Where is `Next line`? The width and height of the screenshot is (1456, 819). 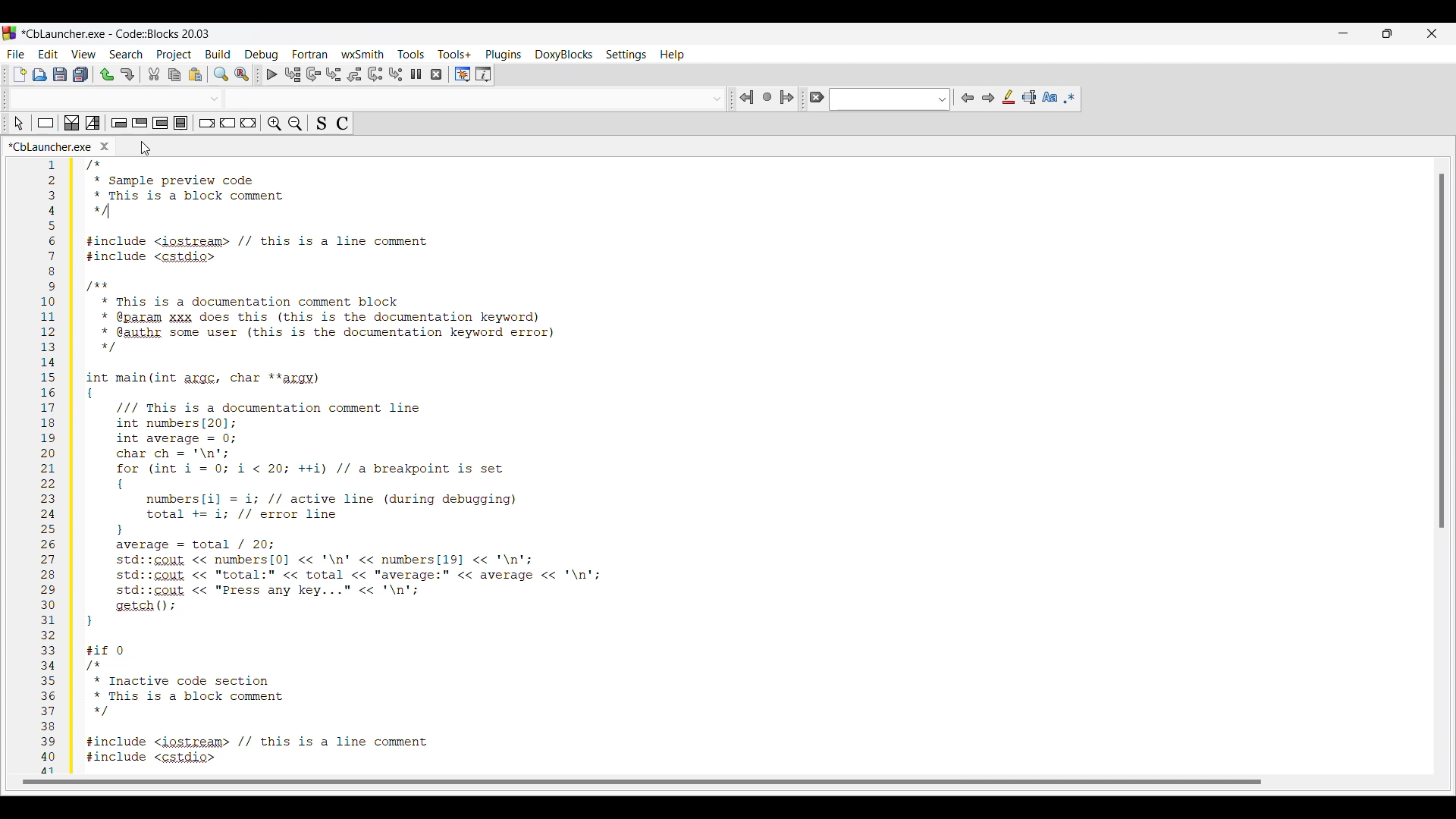
Next line is located at coordinates (313, 74).